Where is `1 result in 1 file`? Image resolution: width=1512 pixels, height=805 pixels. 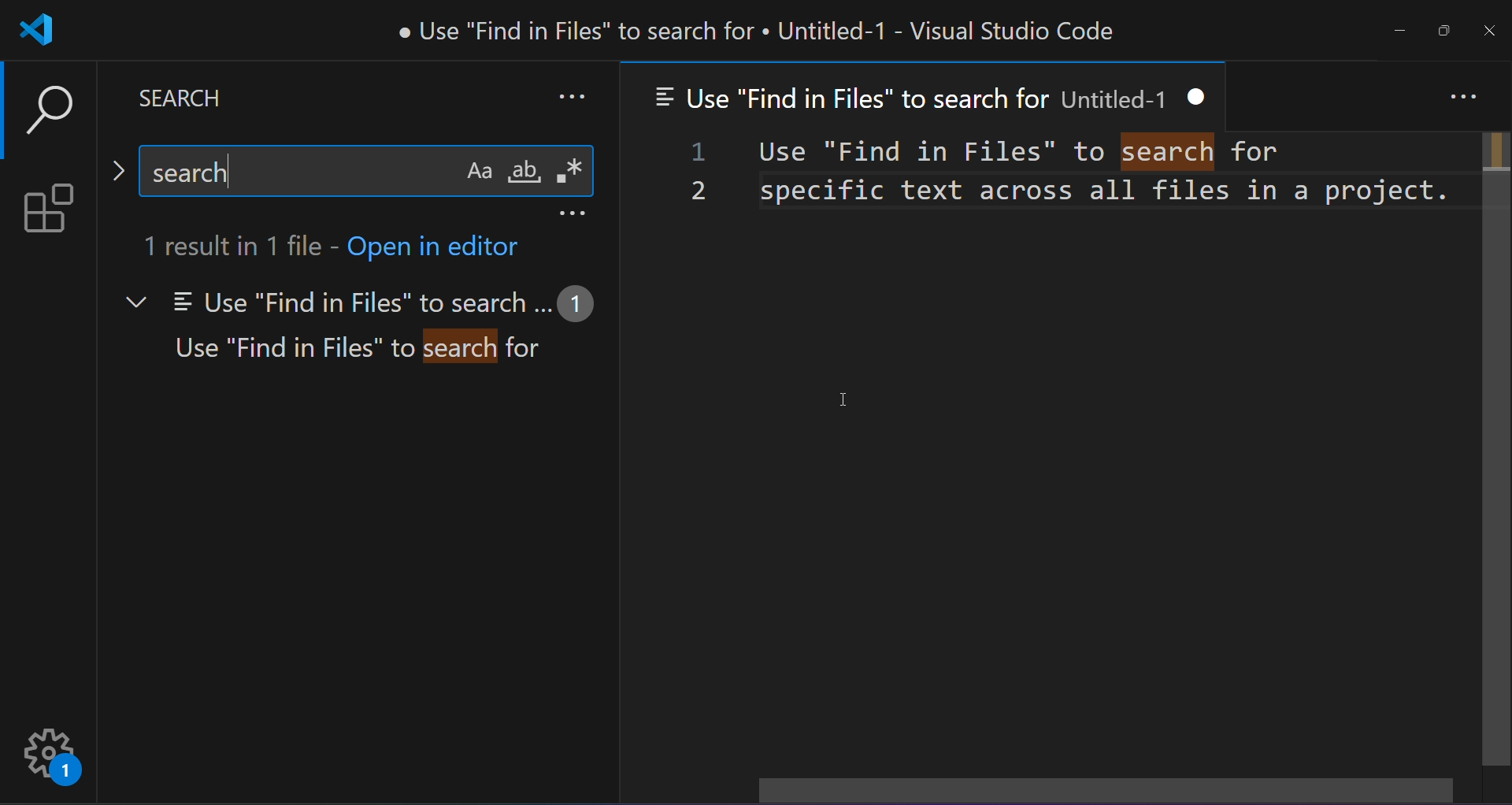
1 result in 1 file is located at coordinates (232, 243).